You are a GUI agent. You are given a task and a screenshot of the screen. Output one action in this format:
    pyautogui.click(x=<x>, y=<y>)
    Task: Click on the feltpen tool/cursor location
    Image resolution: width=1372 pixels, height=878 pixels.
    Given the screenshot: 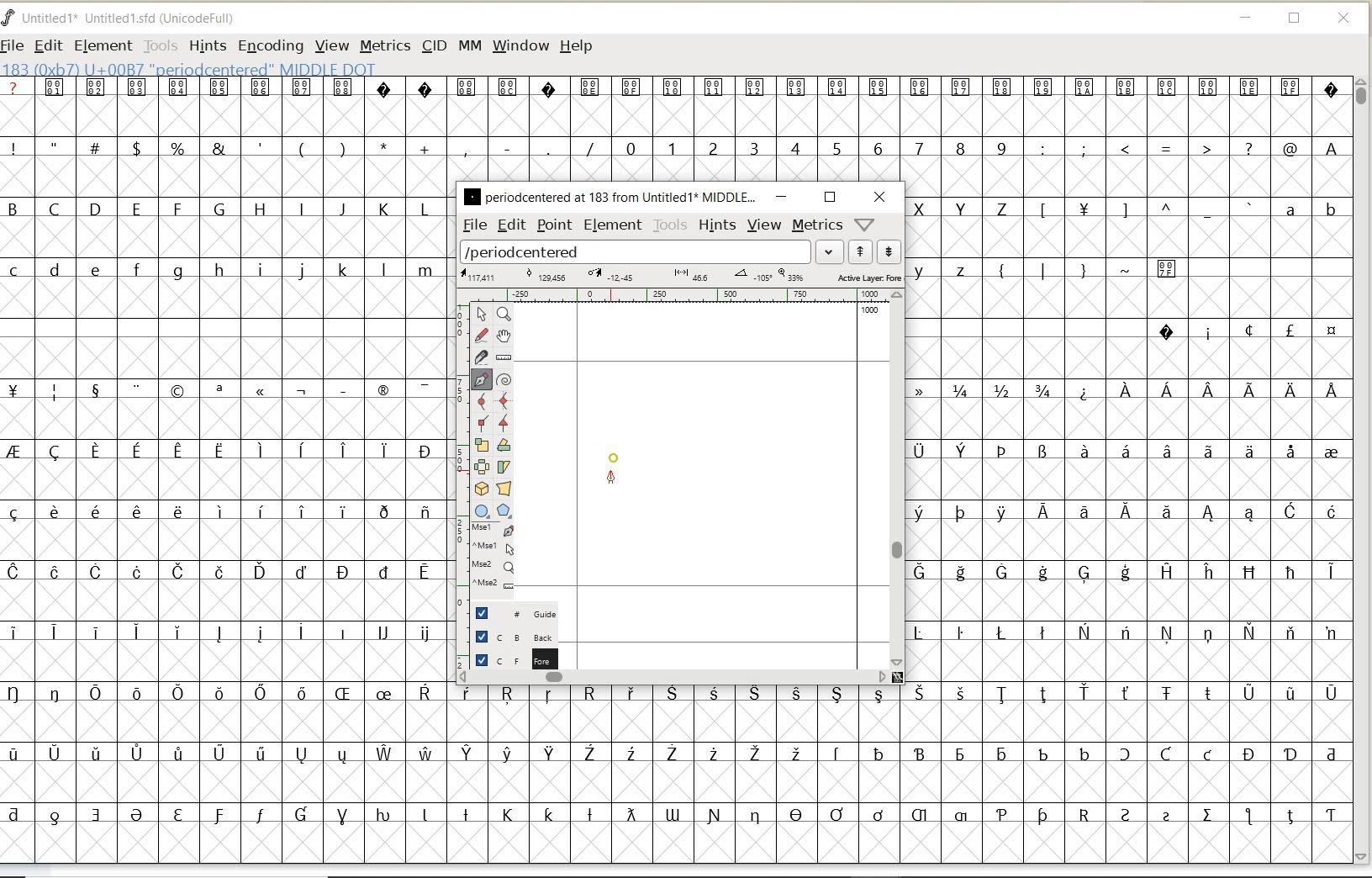 What is the action you would take?
    pyautogui.click(x=613, y=479)
    